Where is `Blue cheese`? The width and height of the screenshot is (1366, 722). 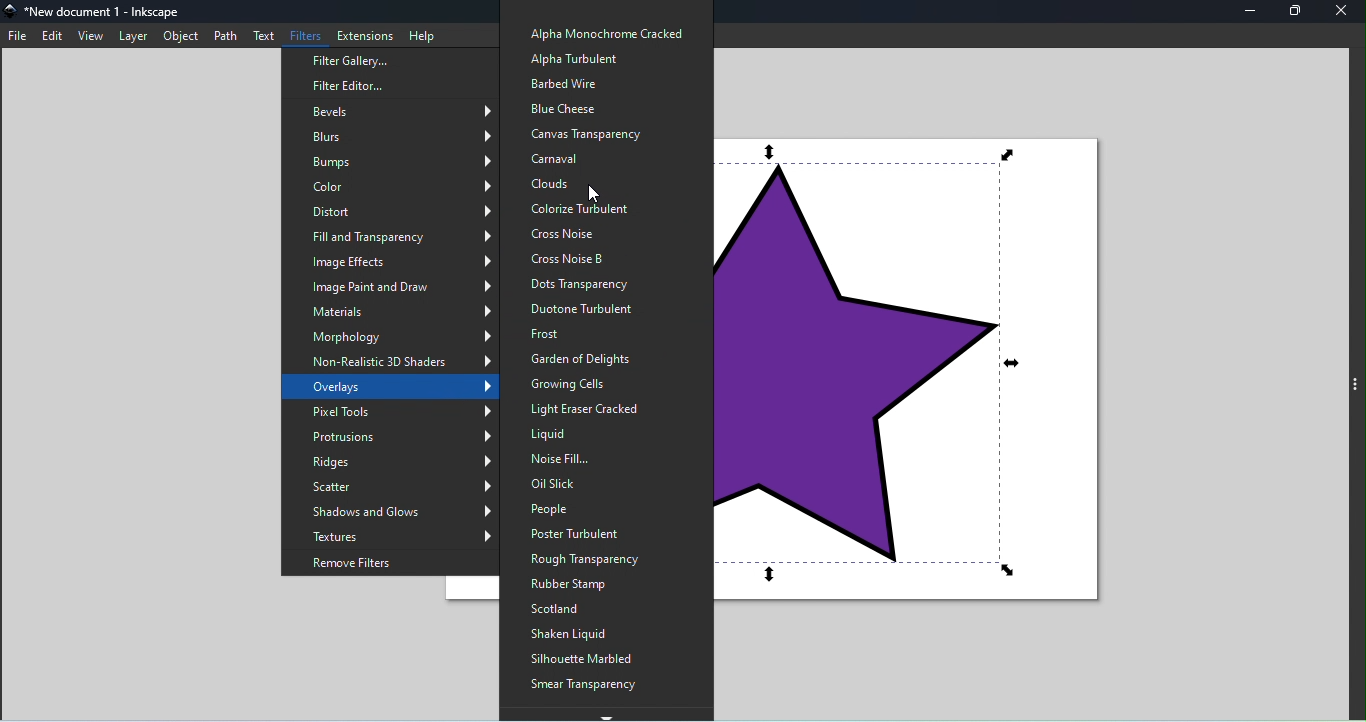
Blue cheese is located at coordinates (584, 106).